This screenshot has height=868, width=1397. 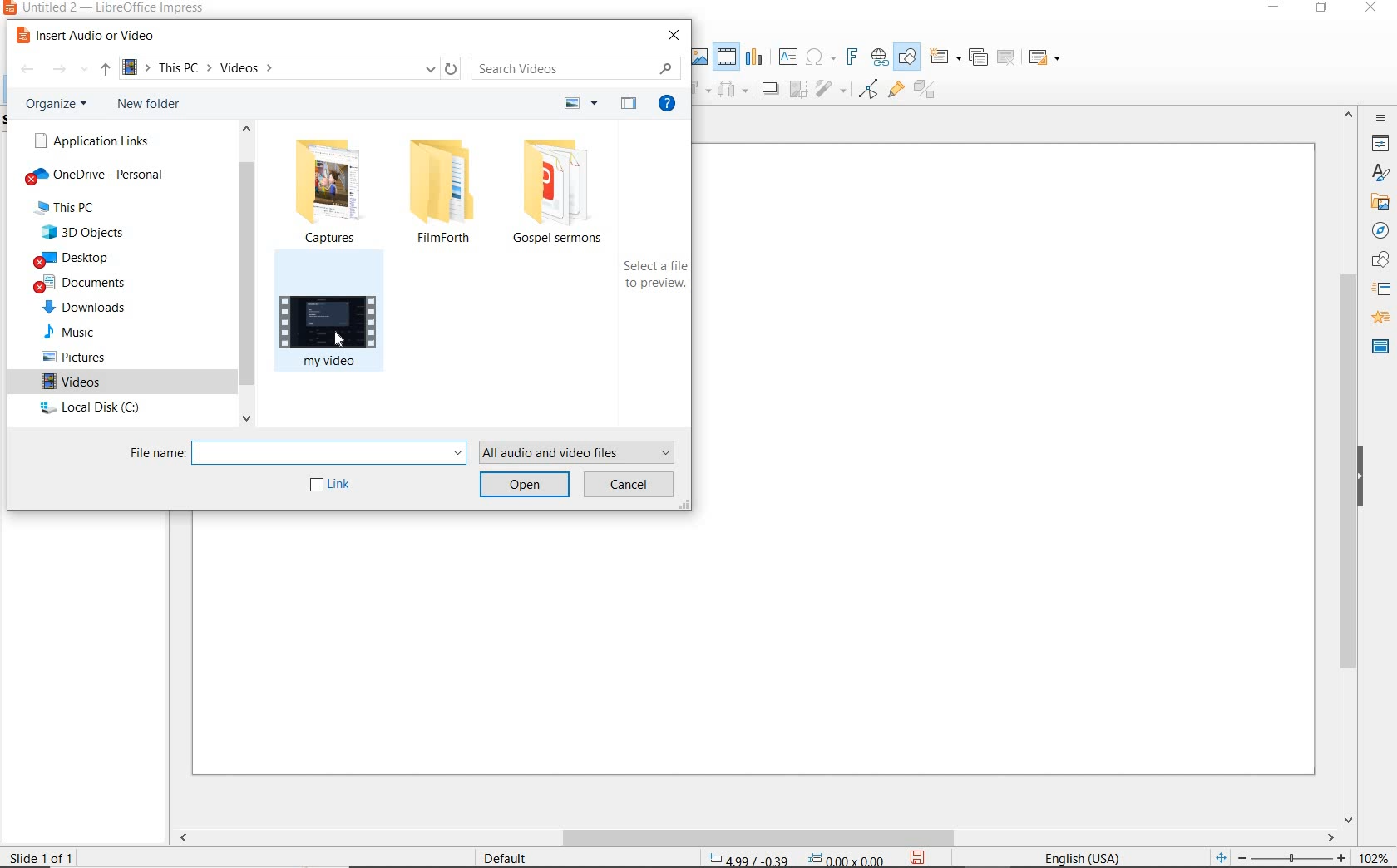 What do you see at coordinates (733, 90) in the screenshot?
I see `icon` at bounding box center [733, 90].